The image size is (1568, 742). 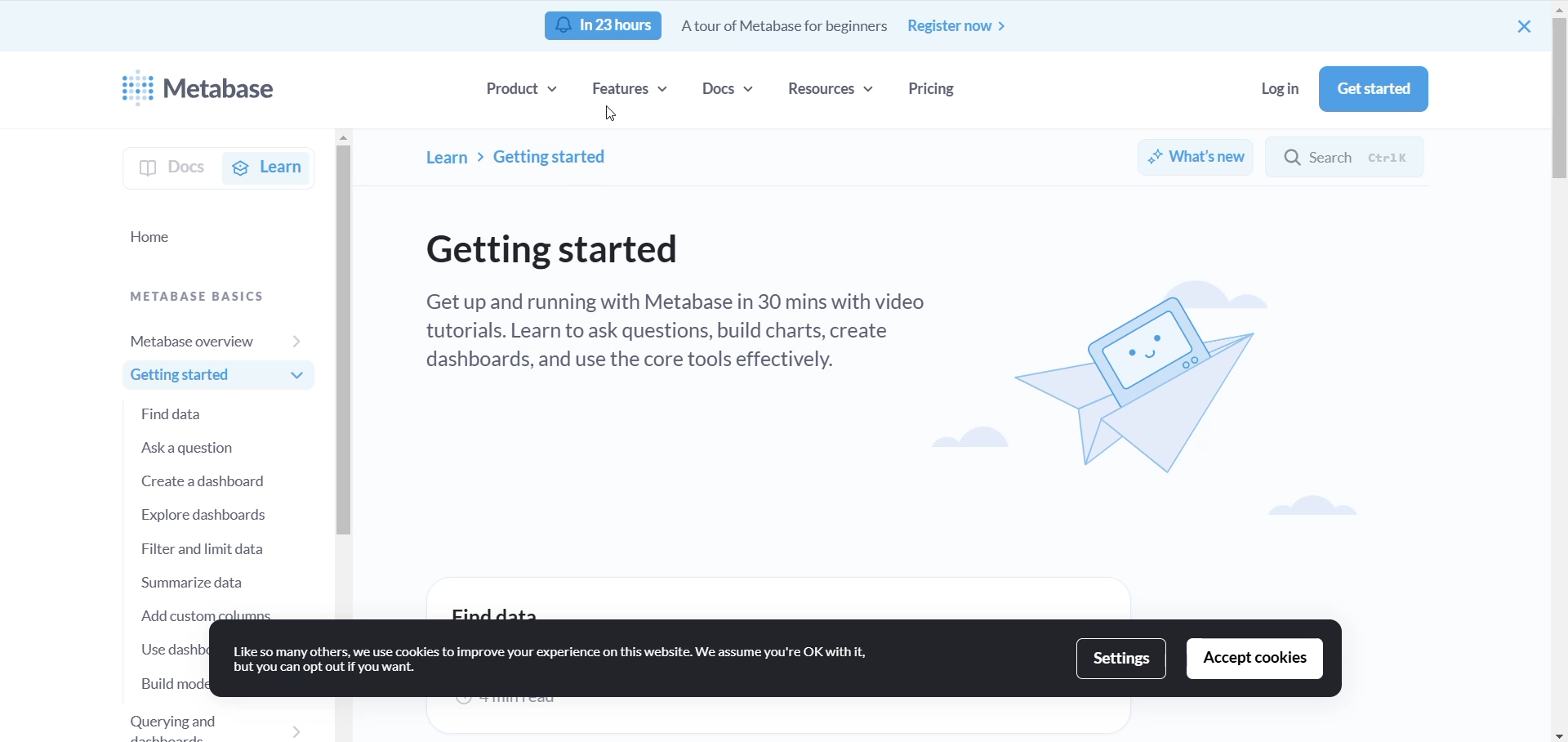 I want to click on logo and name, so click(x=214, y=90).